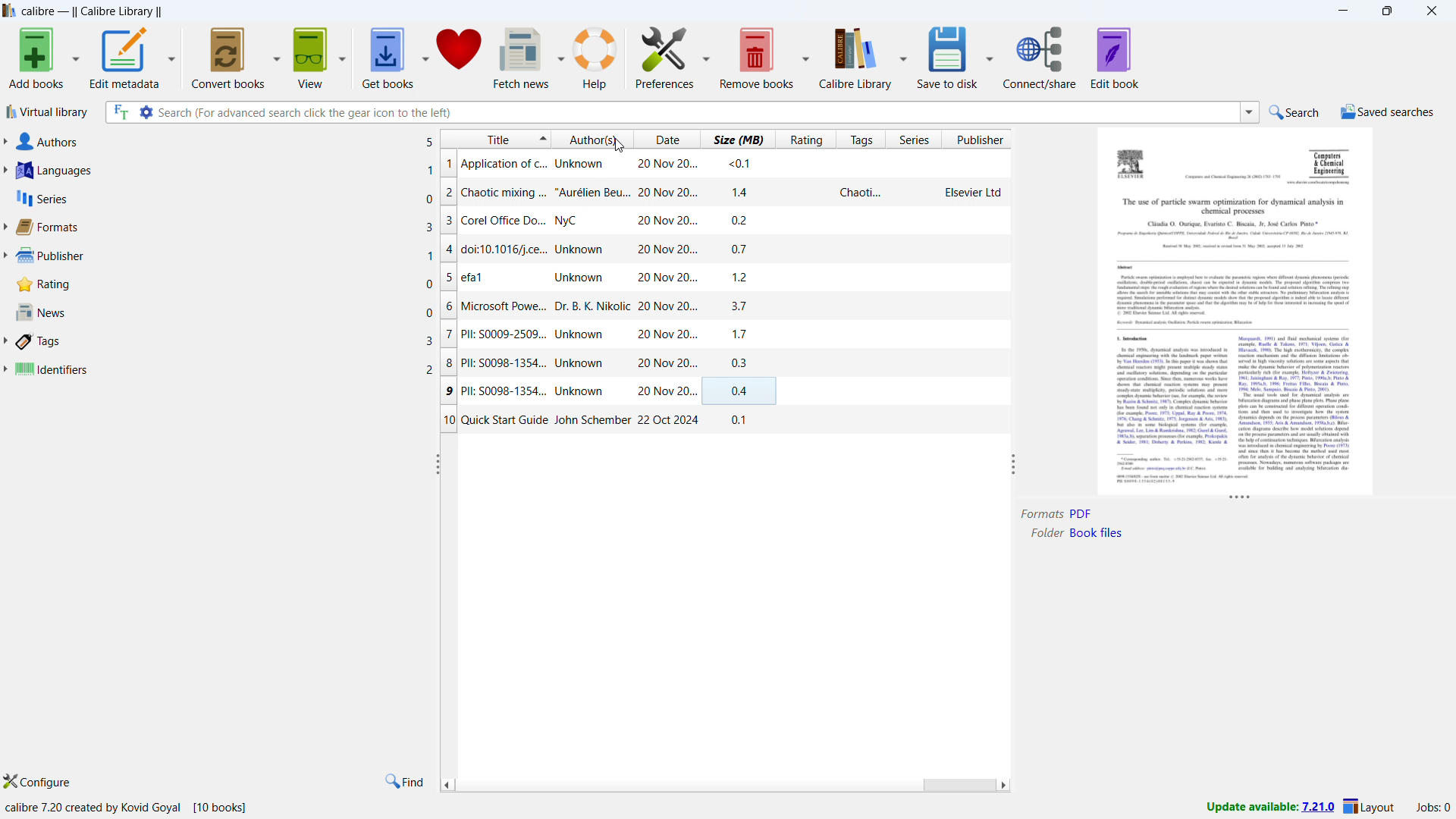 This screenshot has height=819, width=1456. Describe the element at coordinates (580, 193) in the screenshot. I see `chaotic mixing ... "Aurélien Beu... 20 Nov 20...` at that location.